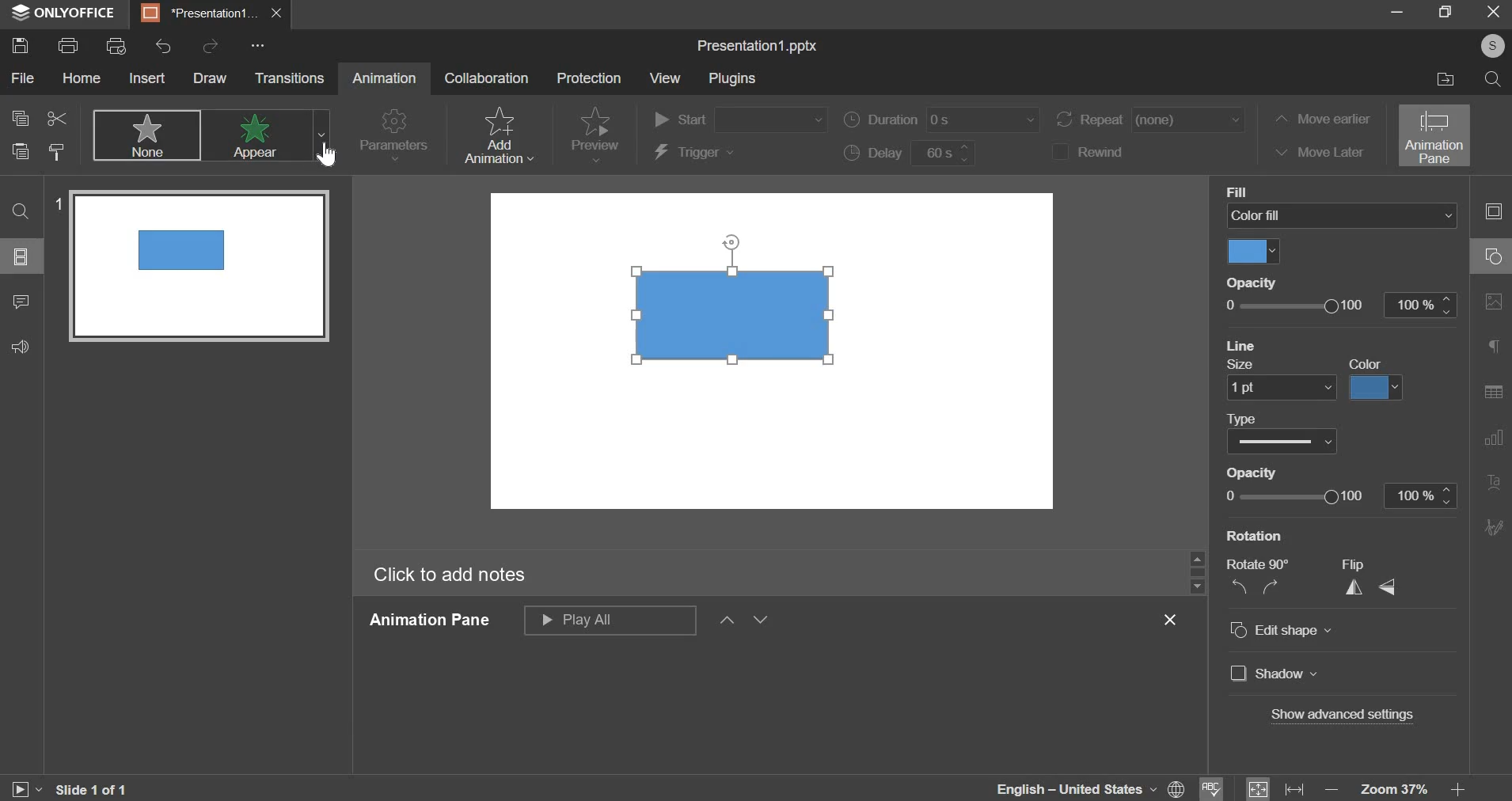 The image size is (1512, 801). What do you see at coordinates (215, 78) in the screenshot?
I see `draw` at bounding box center [215, 78].